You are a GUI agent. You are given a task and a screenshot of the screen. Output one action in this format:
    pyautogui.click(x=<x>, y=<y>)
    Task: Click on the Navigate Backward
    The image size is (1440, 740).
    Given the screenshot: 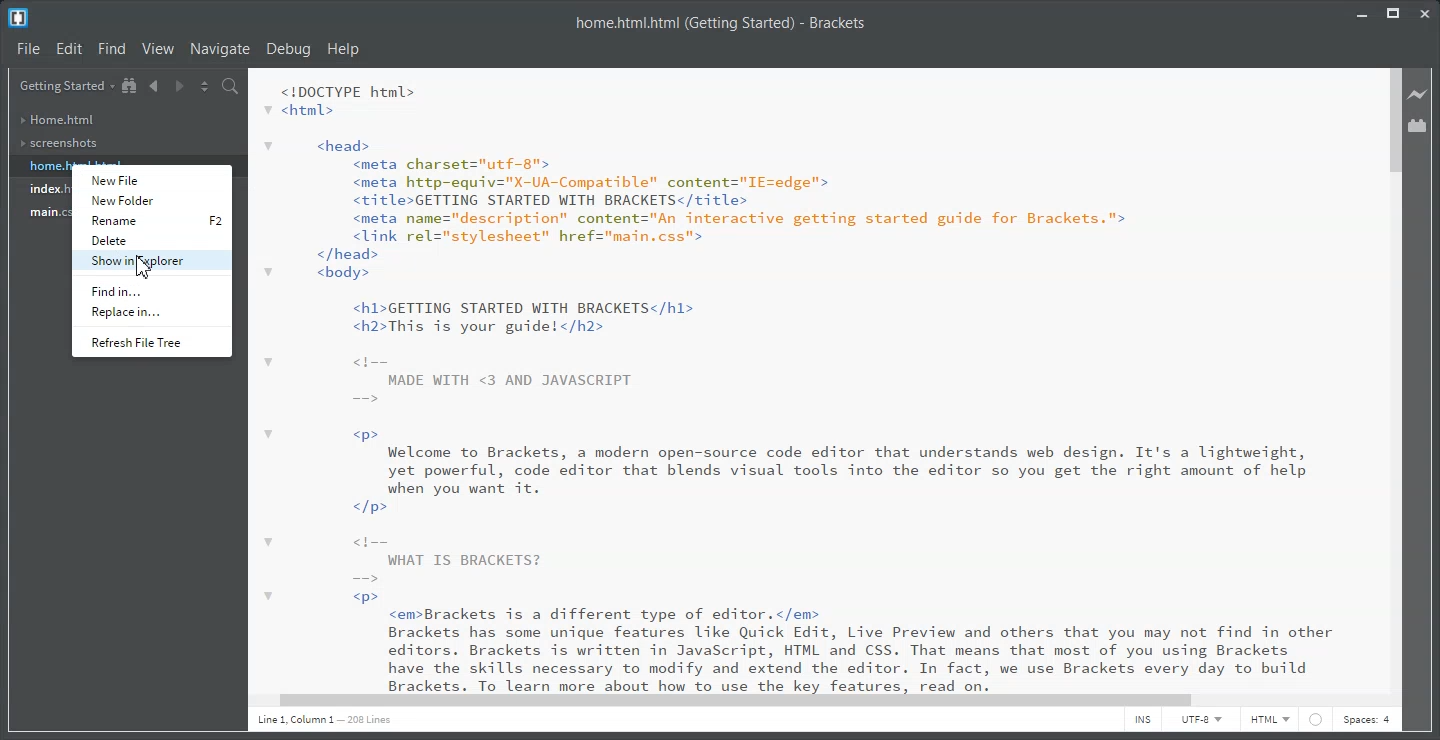 What is the action you would take?
    pyautogui.click(x=153, y=85)
    